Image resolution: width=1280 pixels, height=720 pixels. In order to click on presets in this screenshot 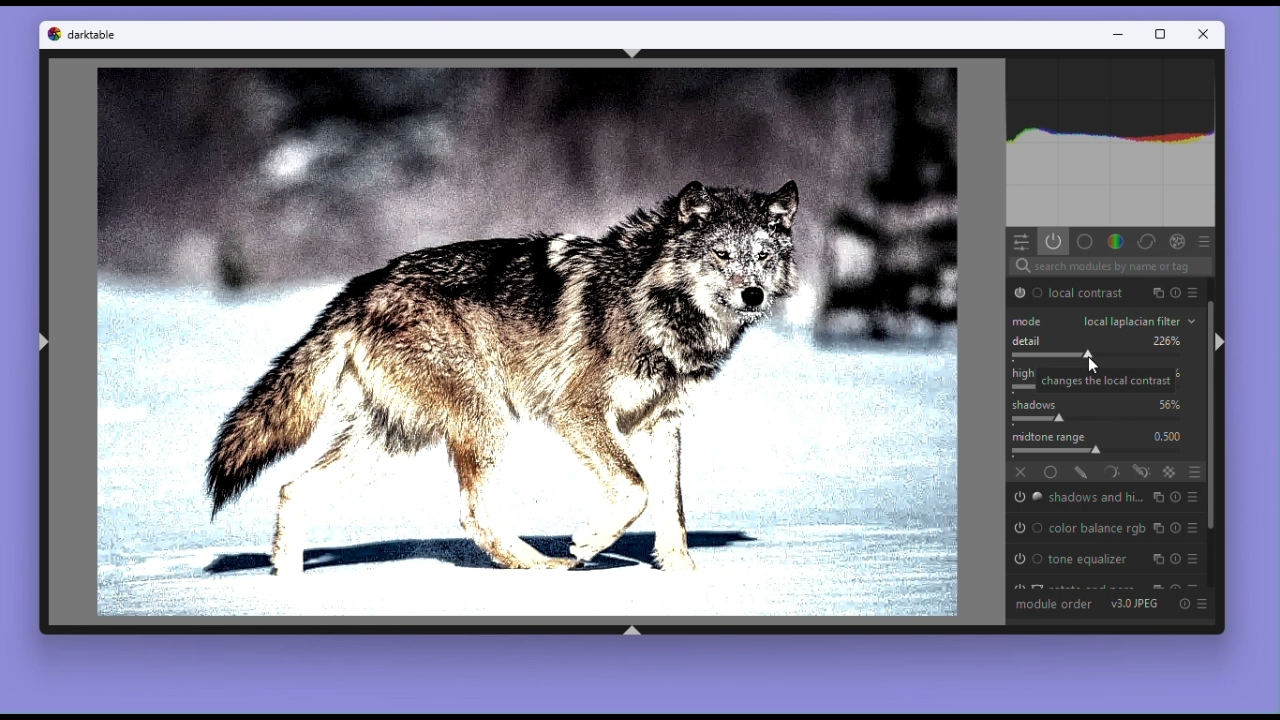, I will do `click(1196, 497)`.